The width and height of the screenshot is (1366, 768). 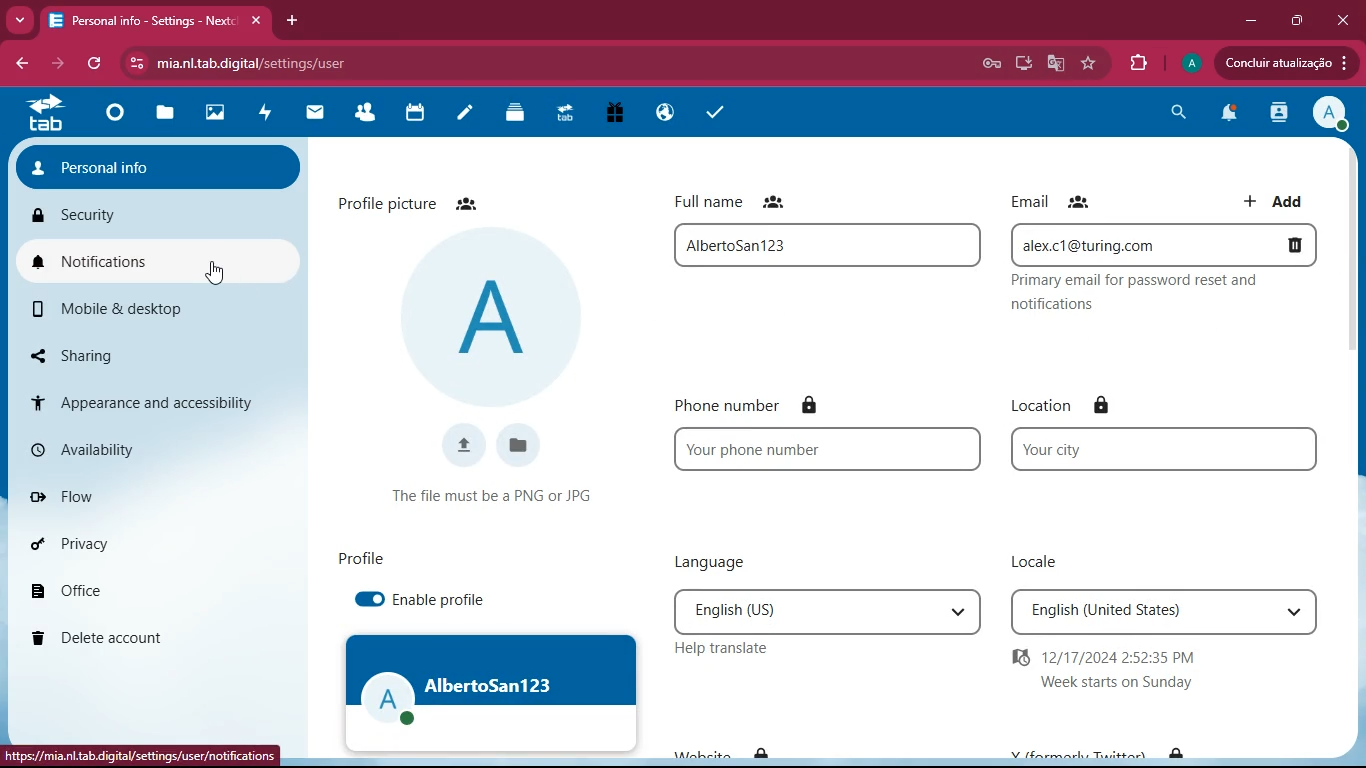 What do you see at coordinates (794, 402) in the screenshot?
I see `phone number` at bounding box center [794, 402].